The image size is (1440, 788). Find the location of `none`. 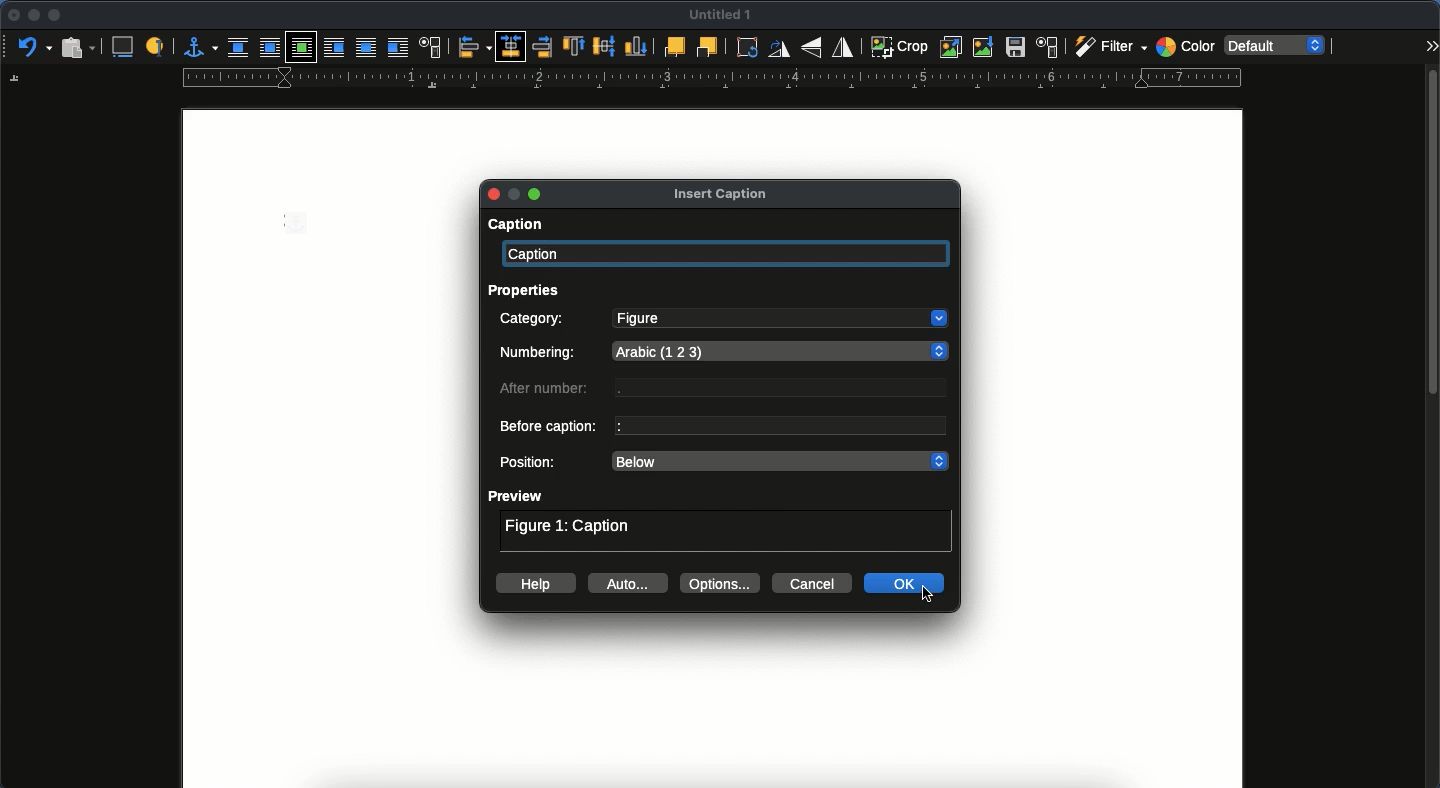

none is located at coordinates (238, 46).